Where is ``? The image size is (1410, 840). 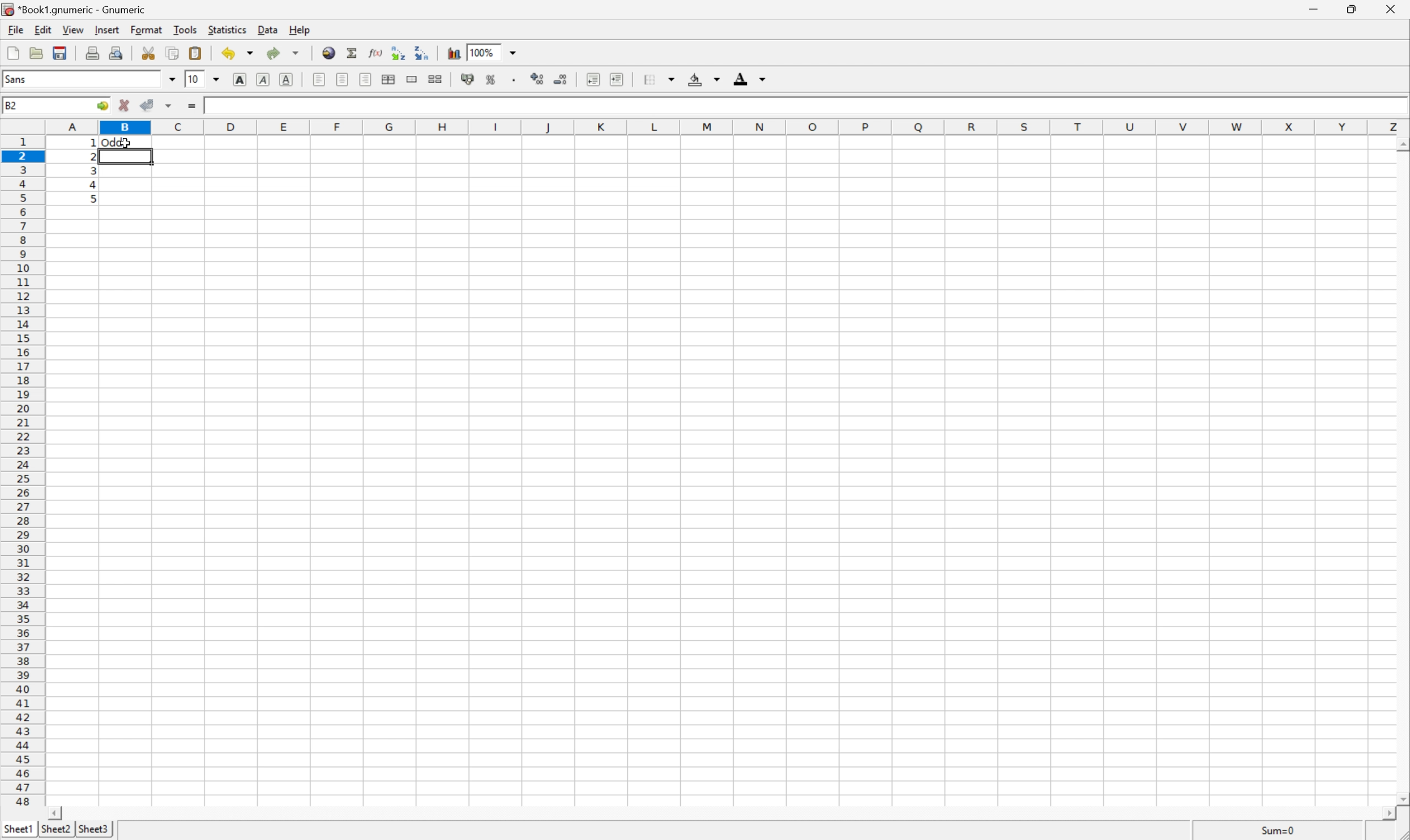  is located at coordinates (91, 142).